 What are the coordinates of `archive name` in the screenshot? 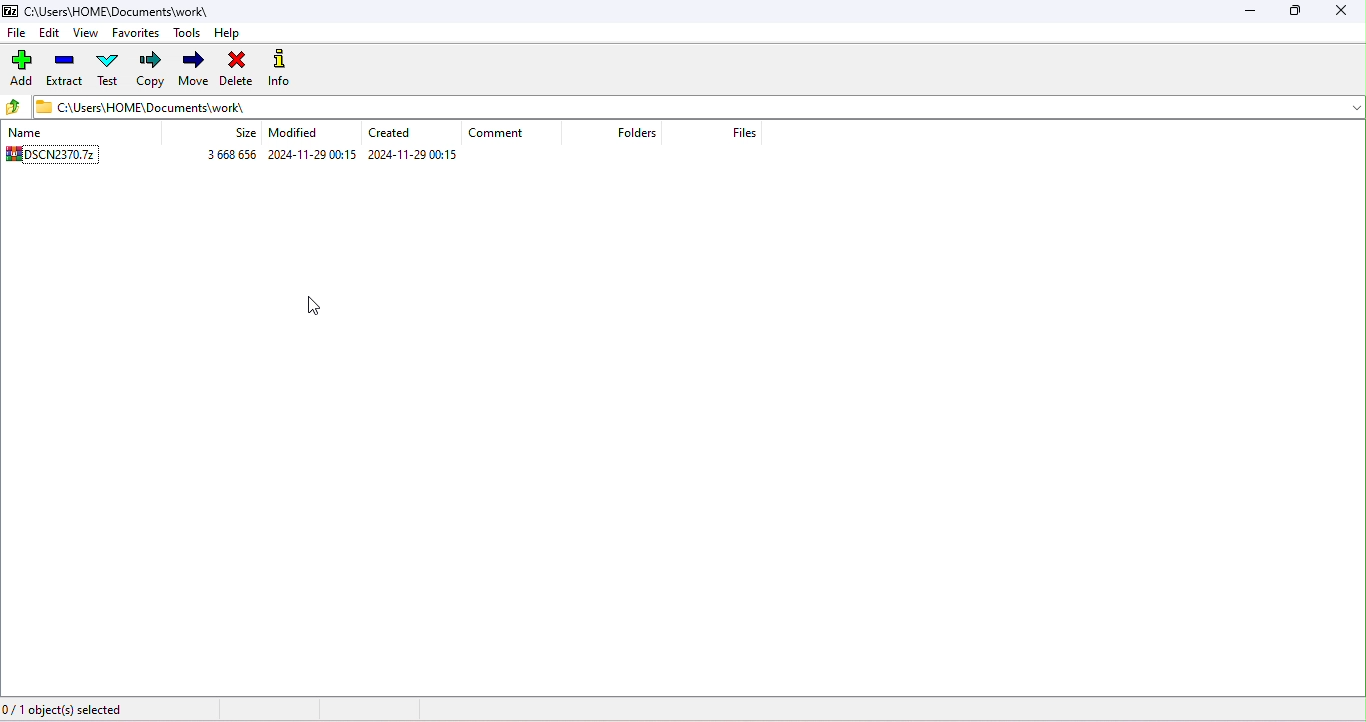 It's located at (67, 157).